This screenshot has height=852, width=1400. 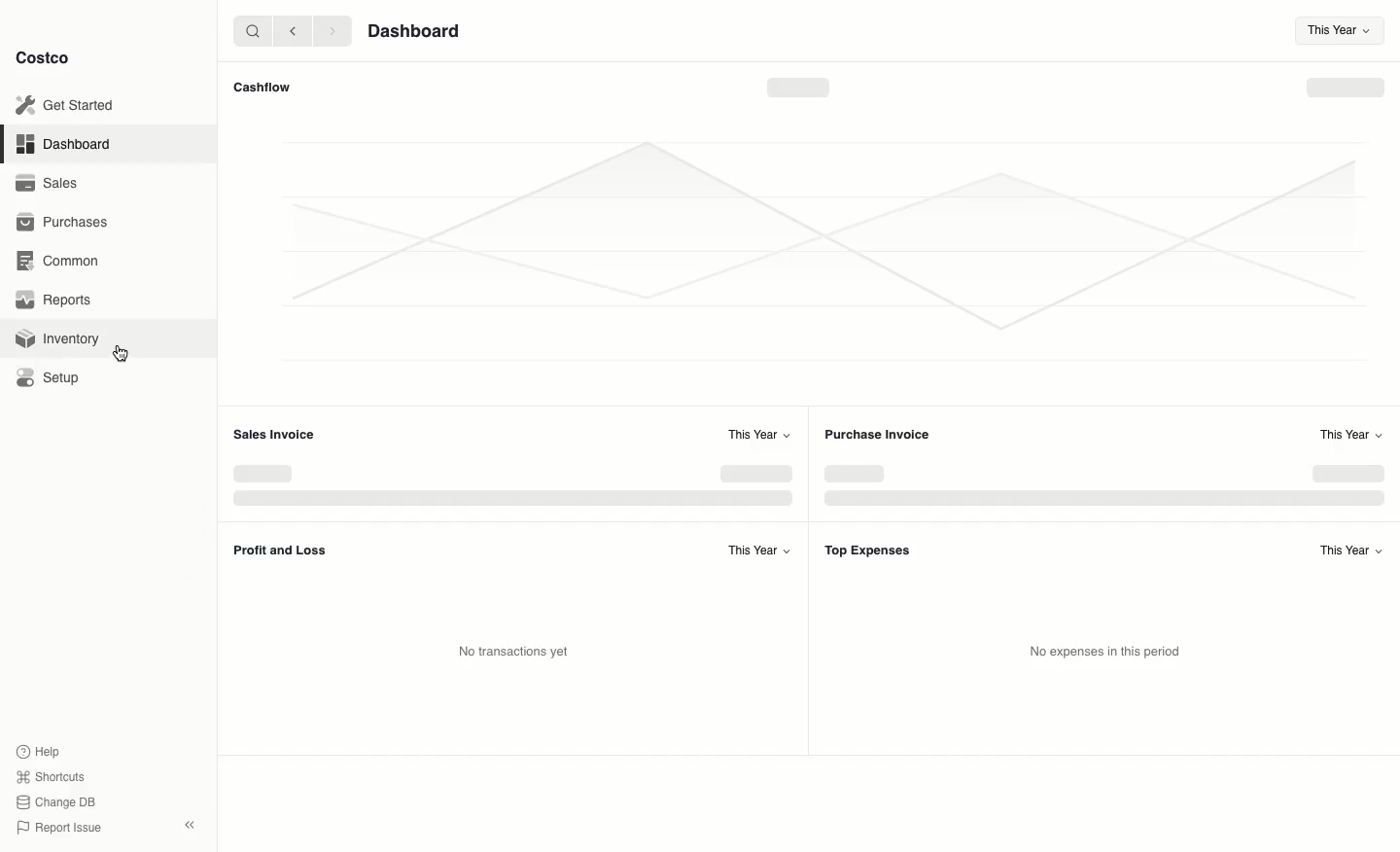 What do you see at coordinates (61, 828) in the screenshot?
I see `Report Issue` at bounding box center [61, 828].